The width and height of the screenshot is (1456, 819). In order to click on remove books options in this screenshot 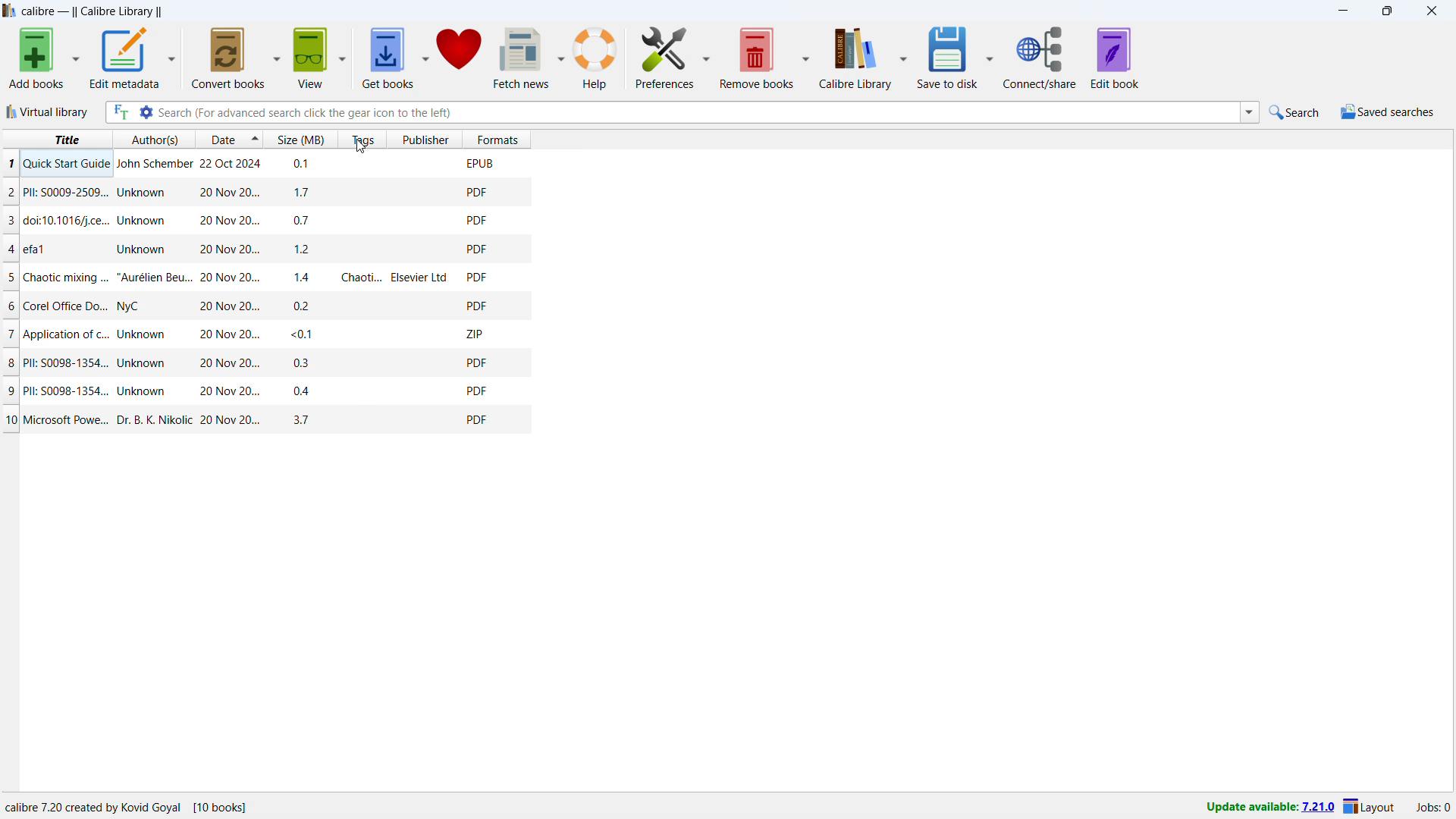, I will do `click(807, 58)`.